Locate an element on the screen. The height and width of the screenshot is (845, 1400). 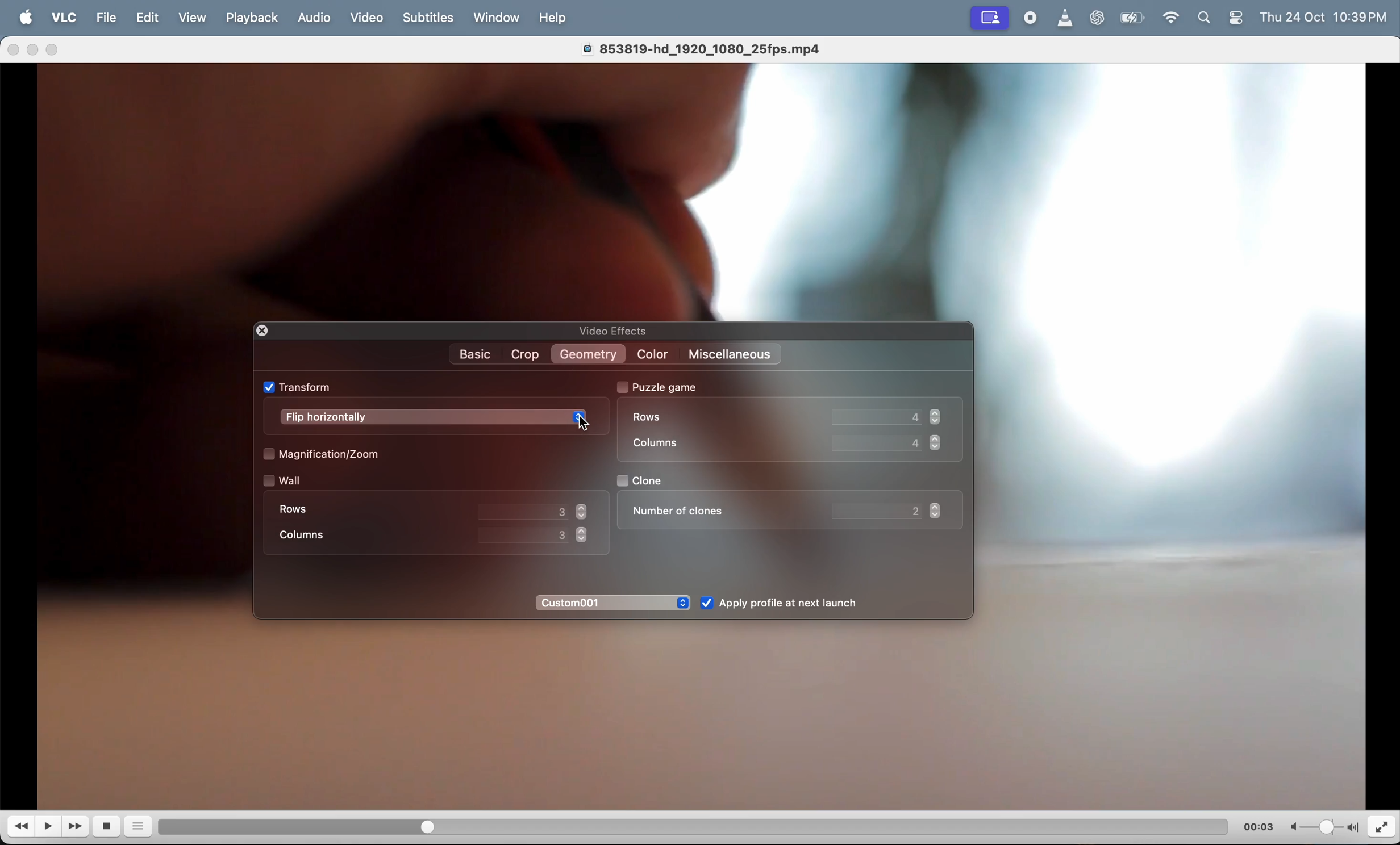
stop is located at coordinates (110, 827).